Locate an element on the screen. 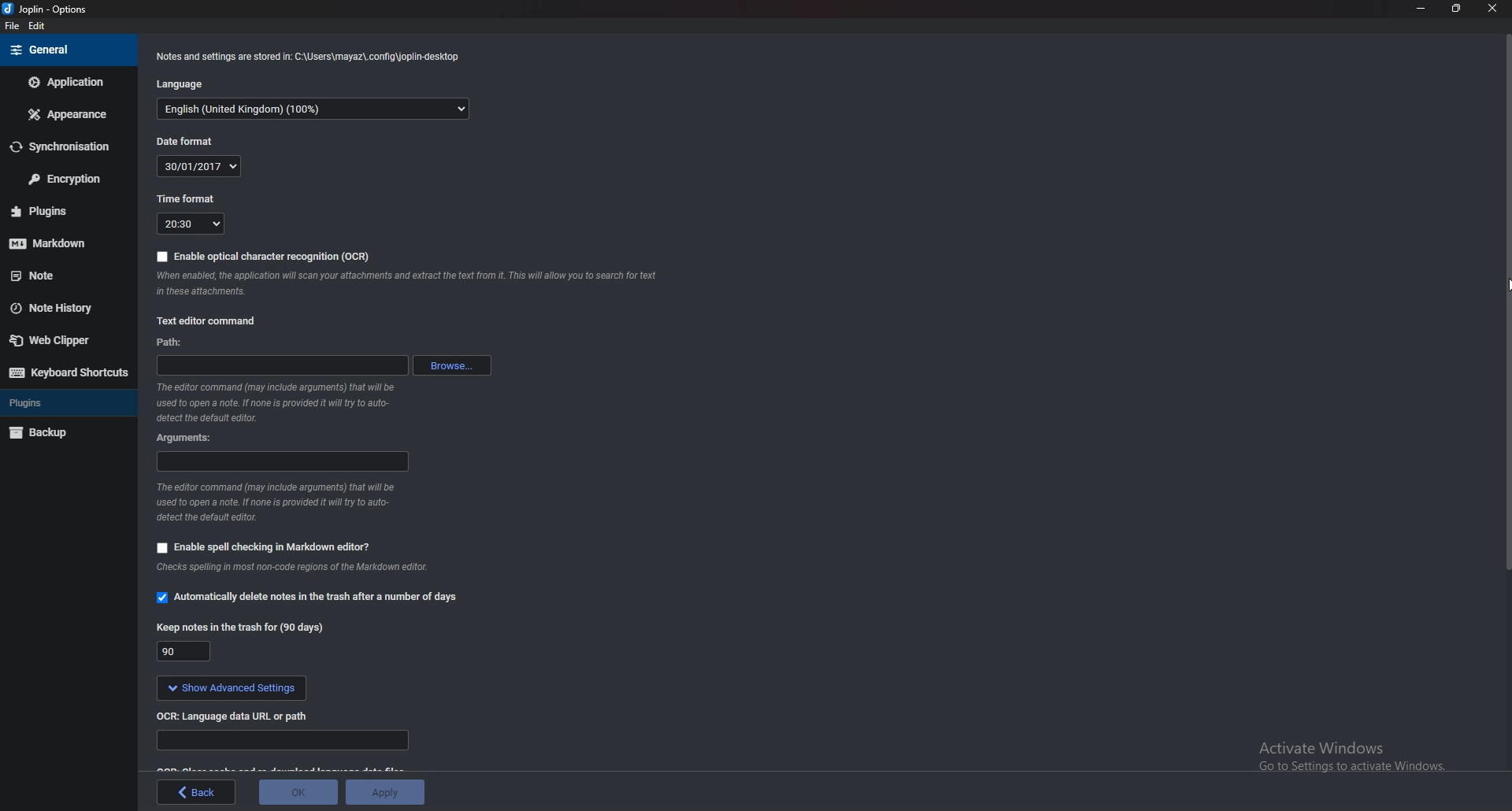 The height and width of the screenshot is (811, 1512). Encryption is located at coordinates (61, 180).